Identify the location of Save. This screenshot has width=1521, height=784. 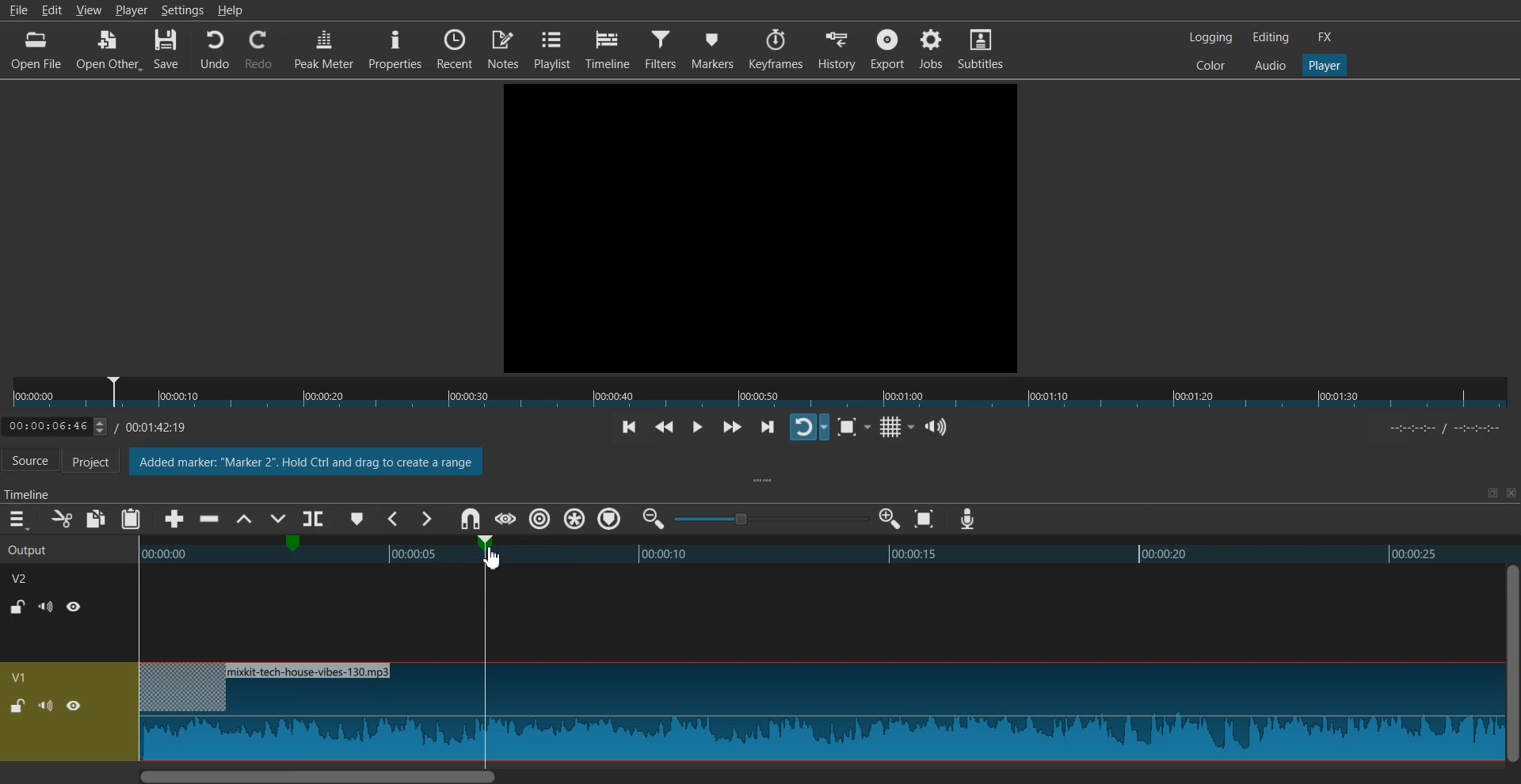
(167, 50).